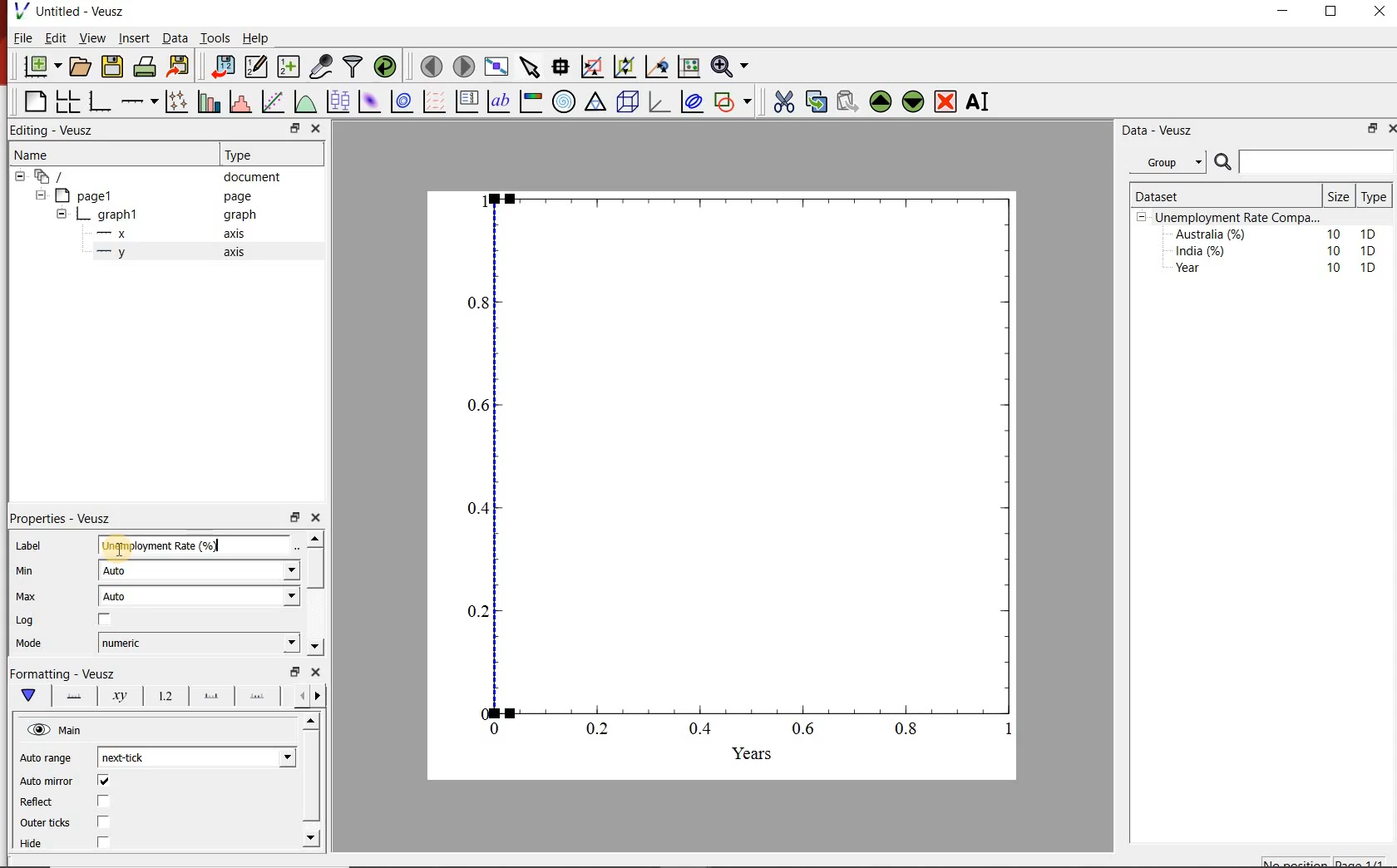 This screenshot has height=868, width=1397. Describe the element at coordinates (313, 721) in the screenshot. I see `move up` at that location.